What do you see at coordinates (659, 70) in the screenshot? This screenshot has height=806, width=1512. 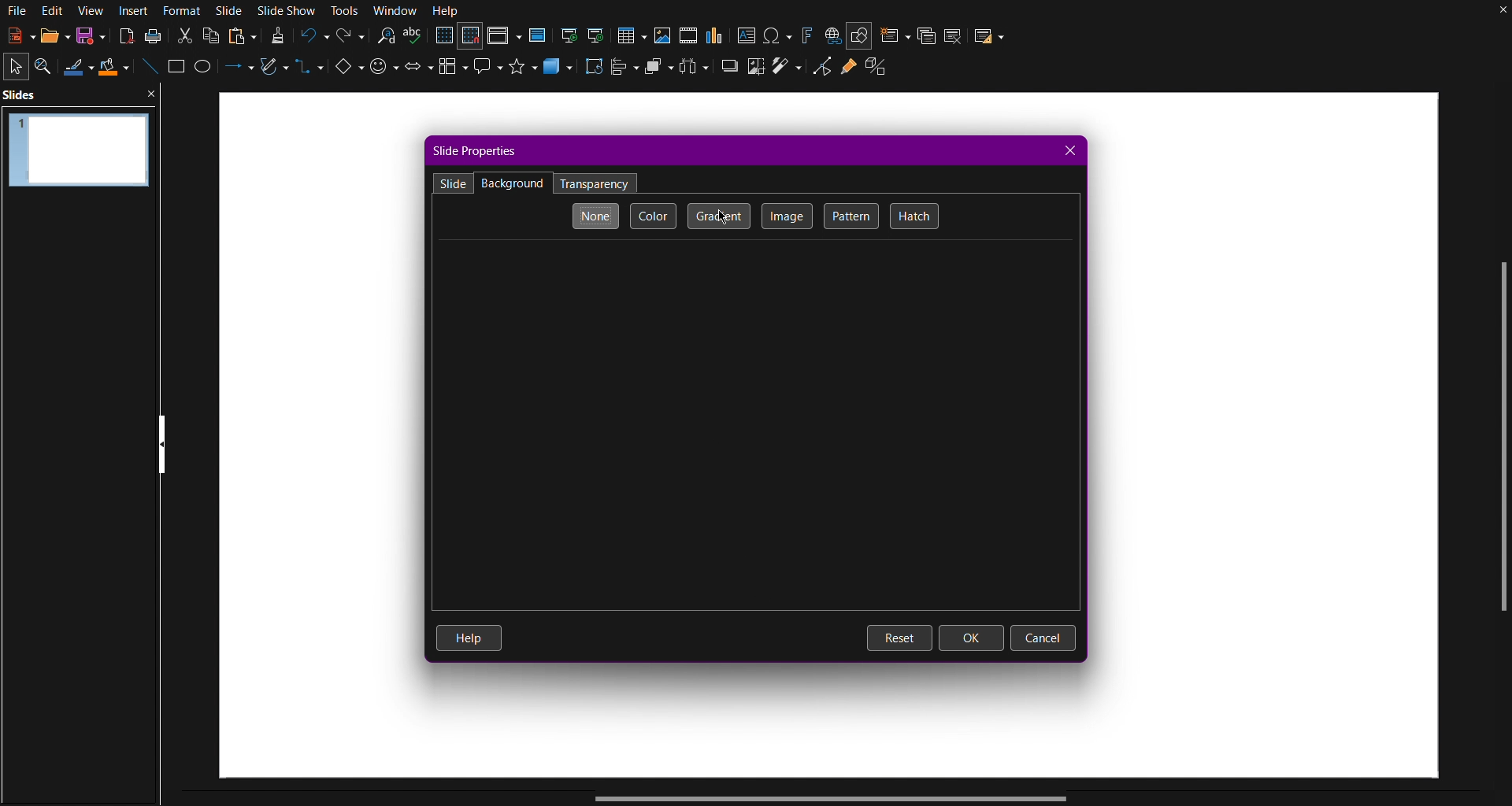 I see `Arrange` at bounding box center [659, 70].